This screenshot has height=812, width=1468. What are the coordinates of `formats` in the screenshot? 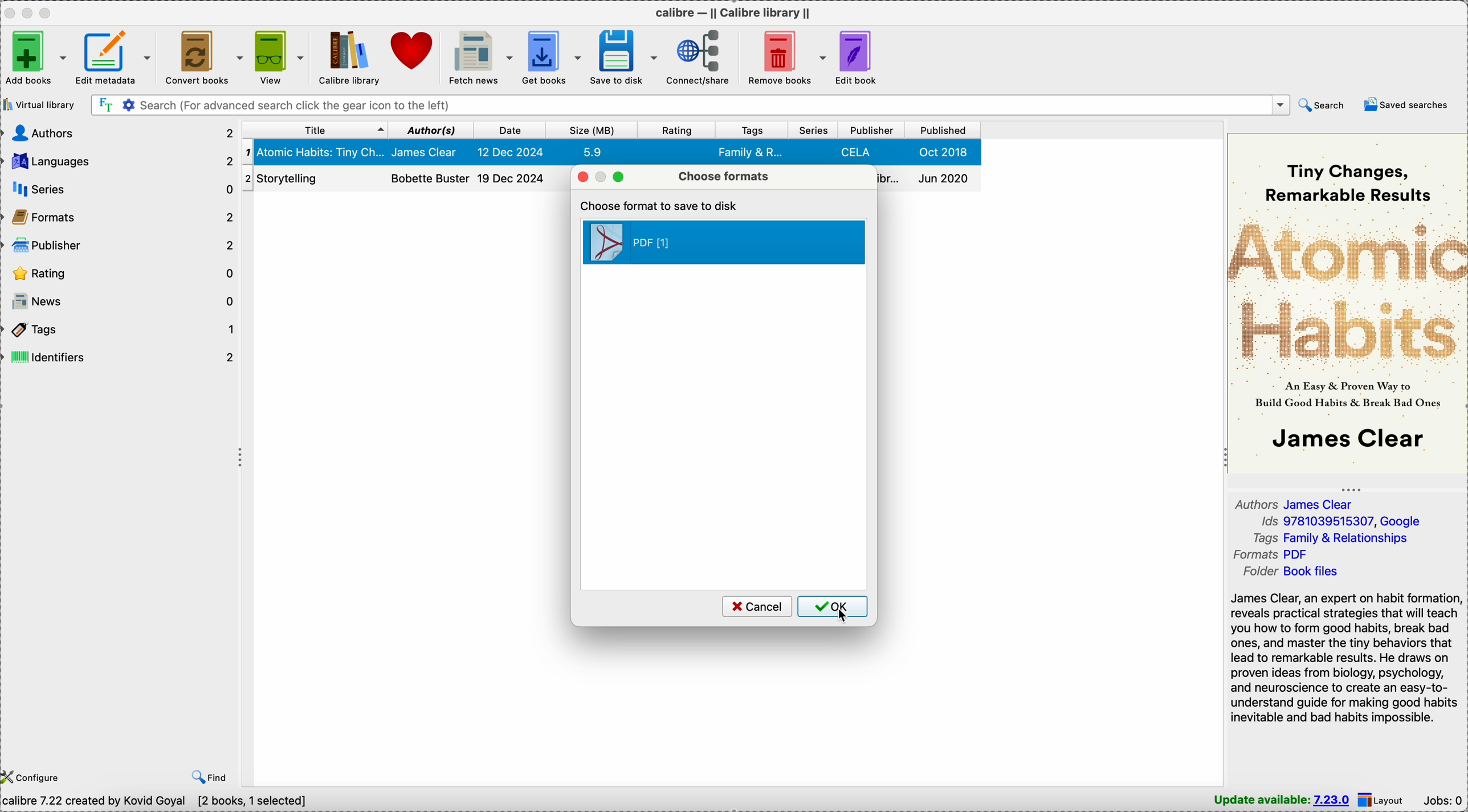 It's located at (122, 219).